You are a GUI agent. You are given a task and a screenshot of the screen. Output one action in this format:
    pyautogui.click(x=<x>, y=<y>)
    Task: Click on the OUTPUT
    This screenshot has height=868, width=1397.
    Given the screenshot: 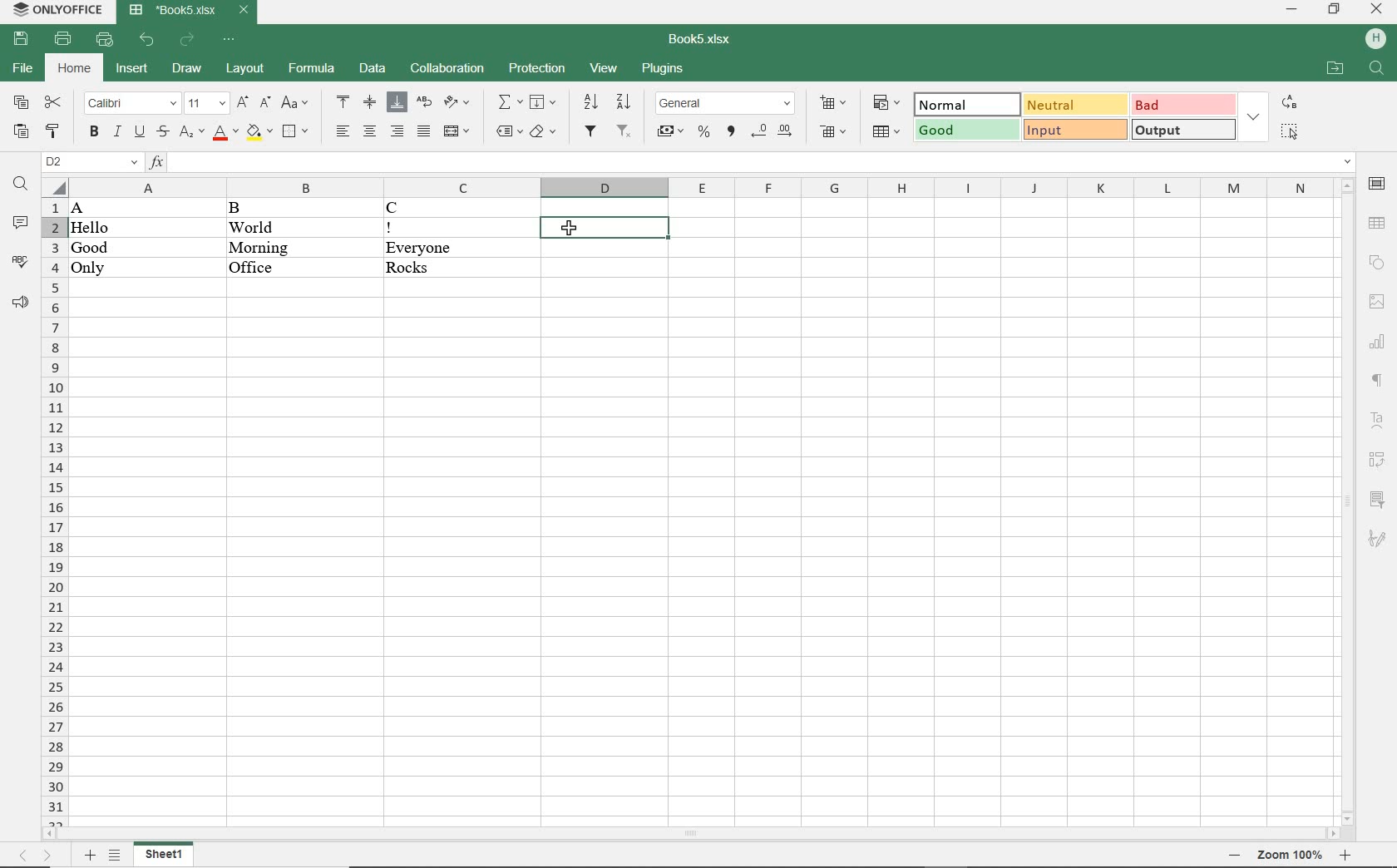 What is the action you would take?
    pyautogui.click(x=1183, y=128)
    